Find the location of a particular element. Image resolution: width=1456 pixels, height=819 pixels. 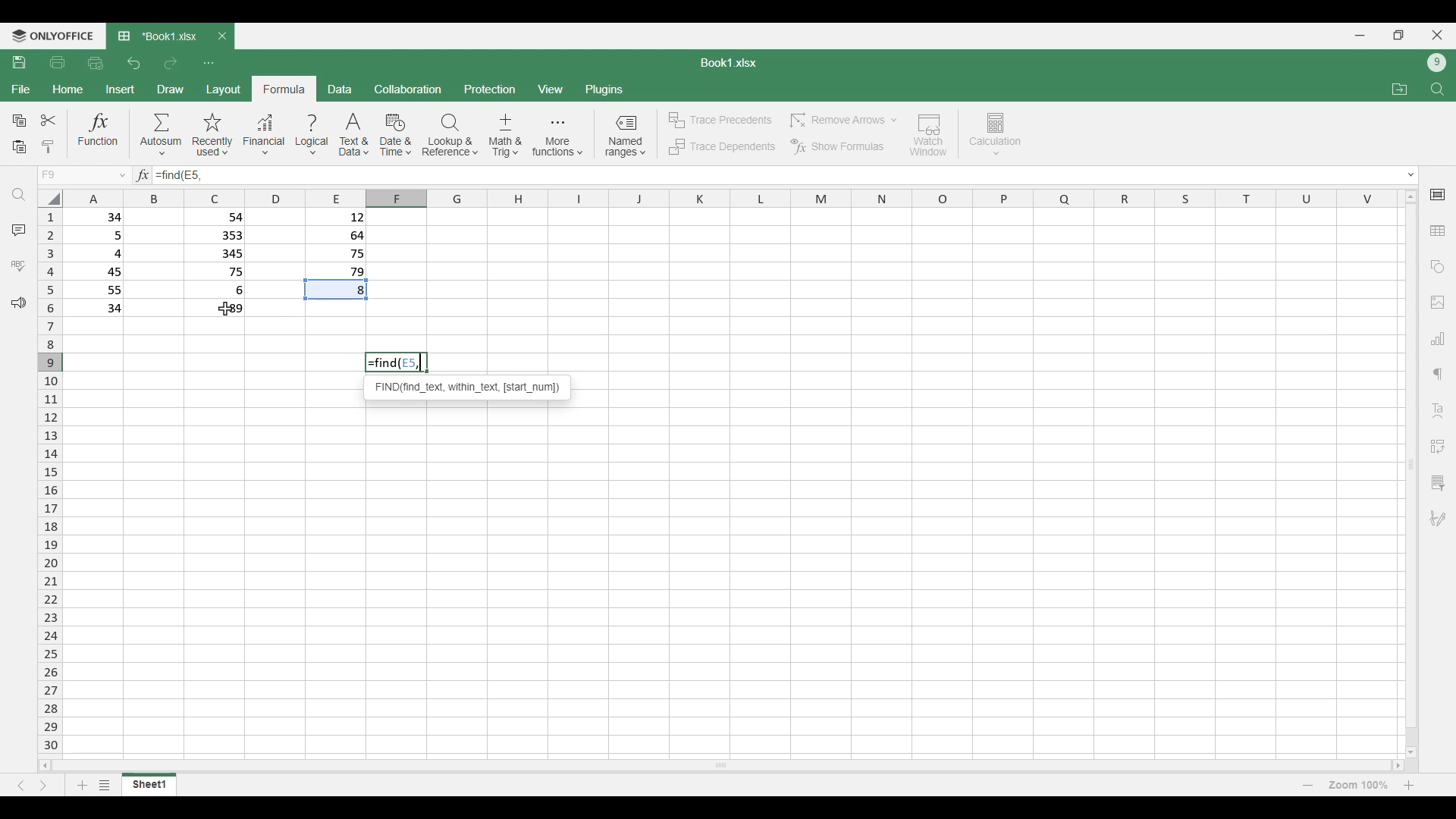

Function typed in is located at coordinates (167, 175).